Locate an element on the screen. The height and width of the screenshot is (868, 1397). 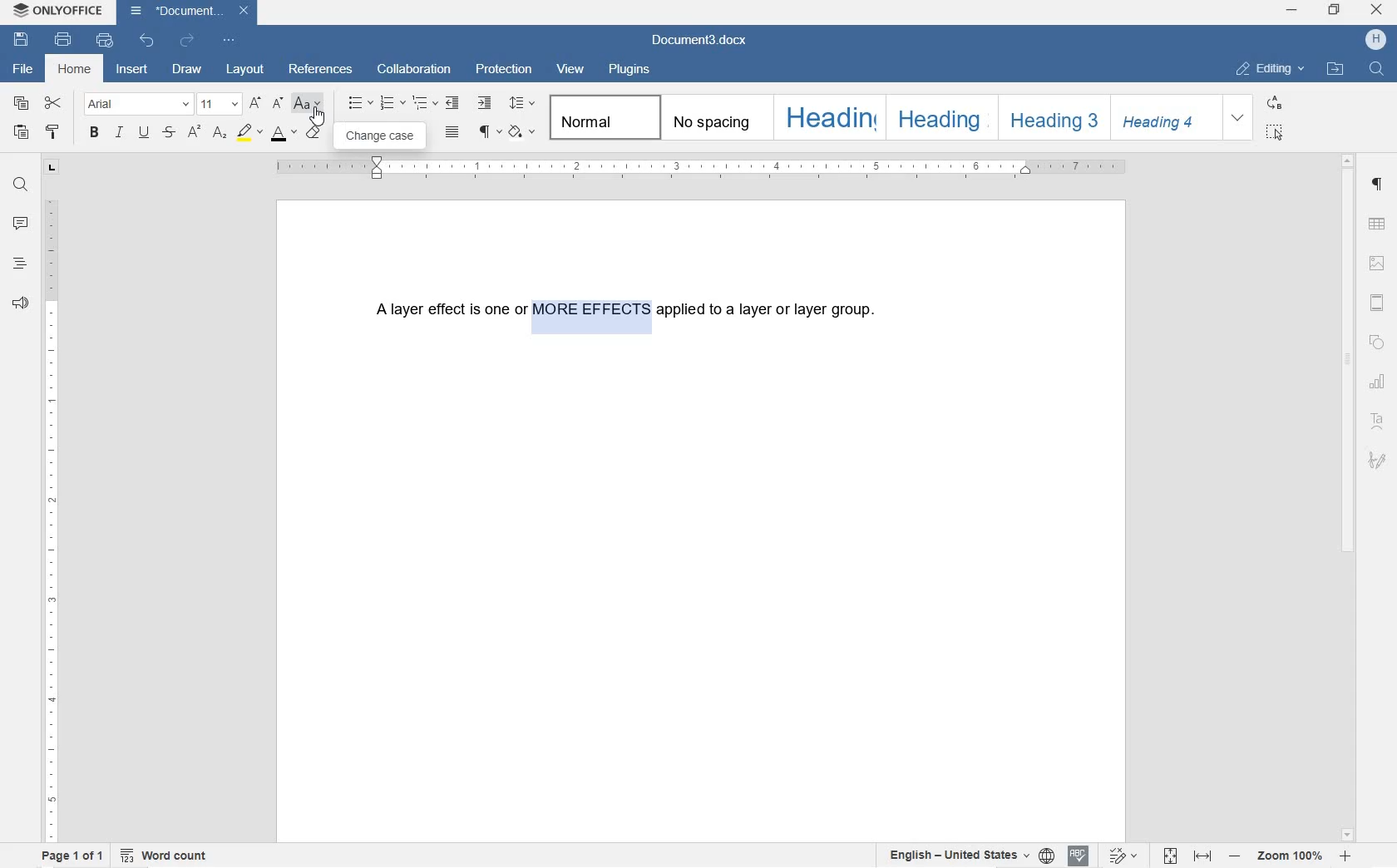
ITALIC is located at coordinates (121, 133).